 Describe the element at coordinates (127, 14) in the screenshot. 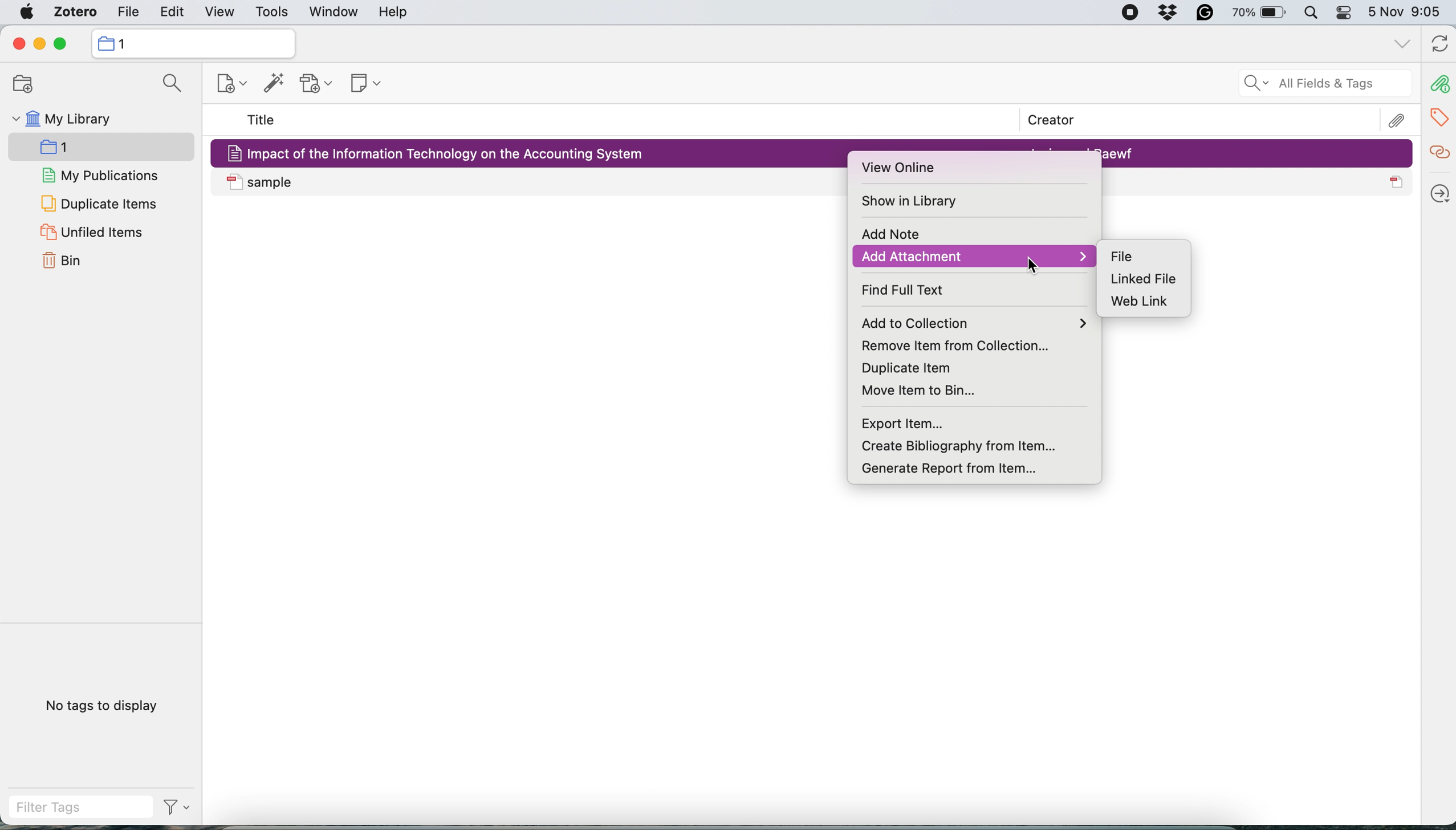

I see `edit` at that location.